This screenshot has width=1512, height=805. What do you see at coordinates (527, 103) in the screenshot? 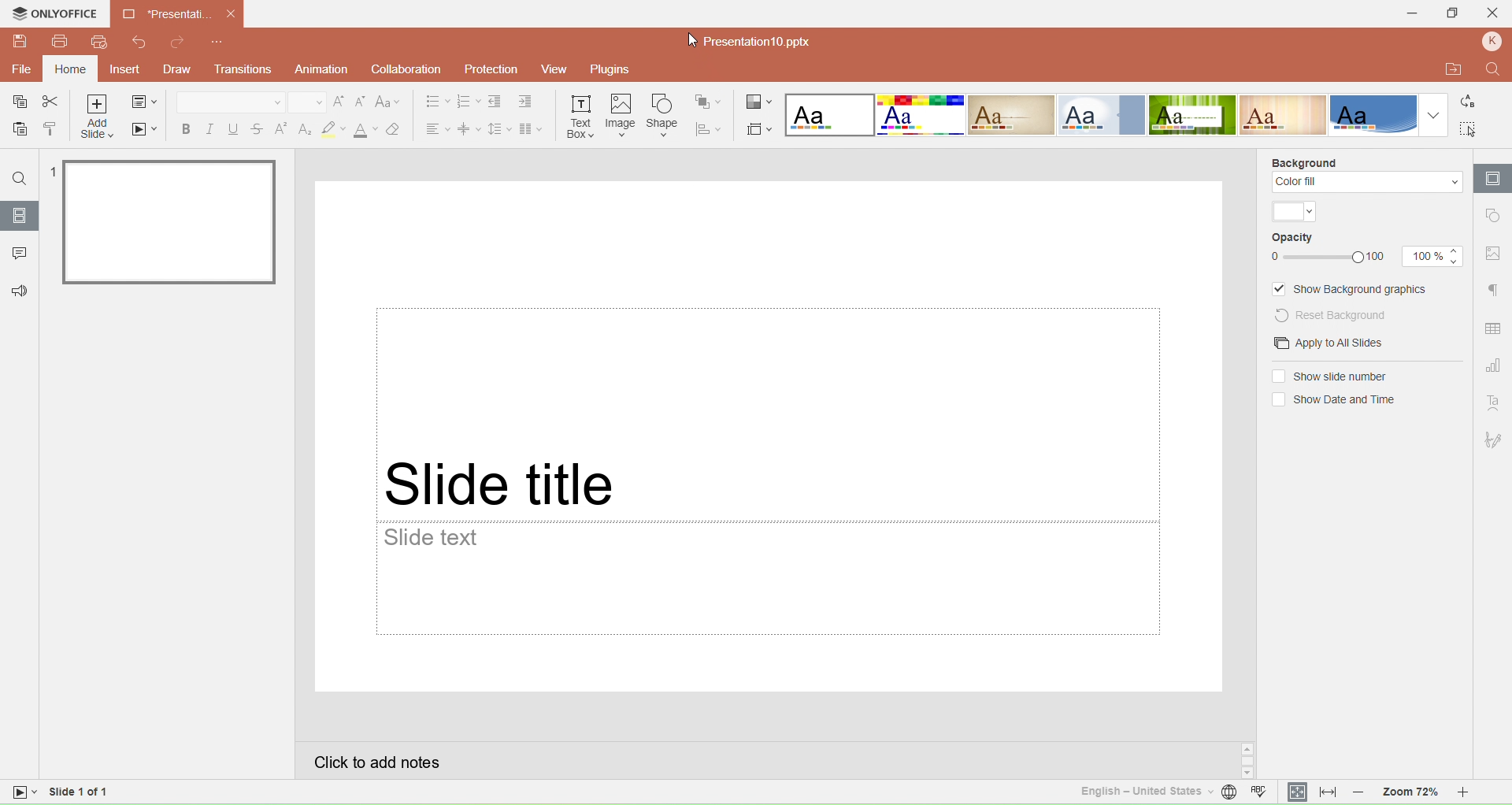
I see `Increase indent` at bounding box center [527, 103].